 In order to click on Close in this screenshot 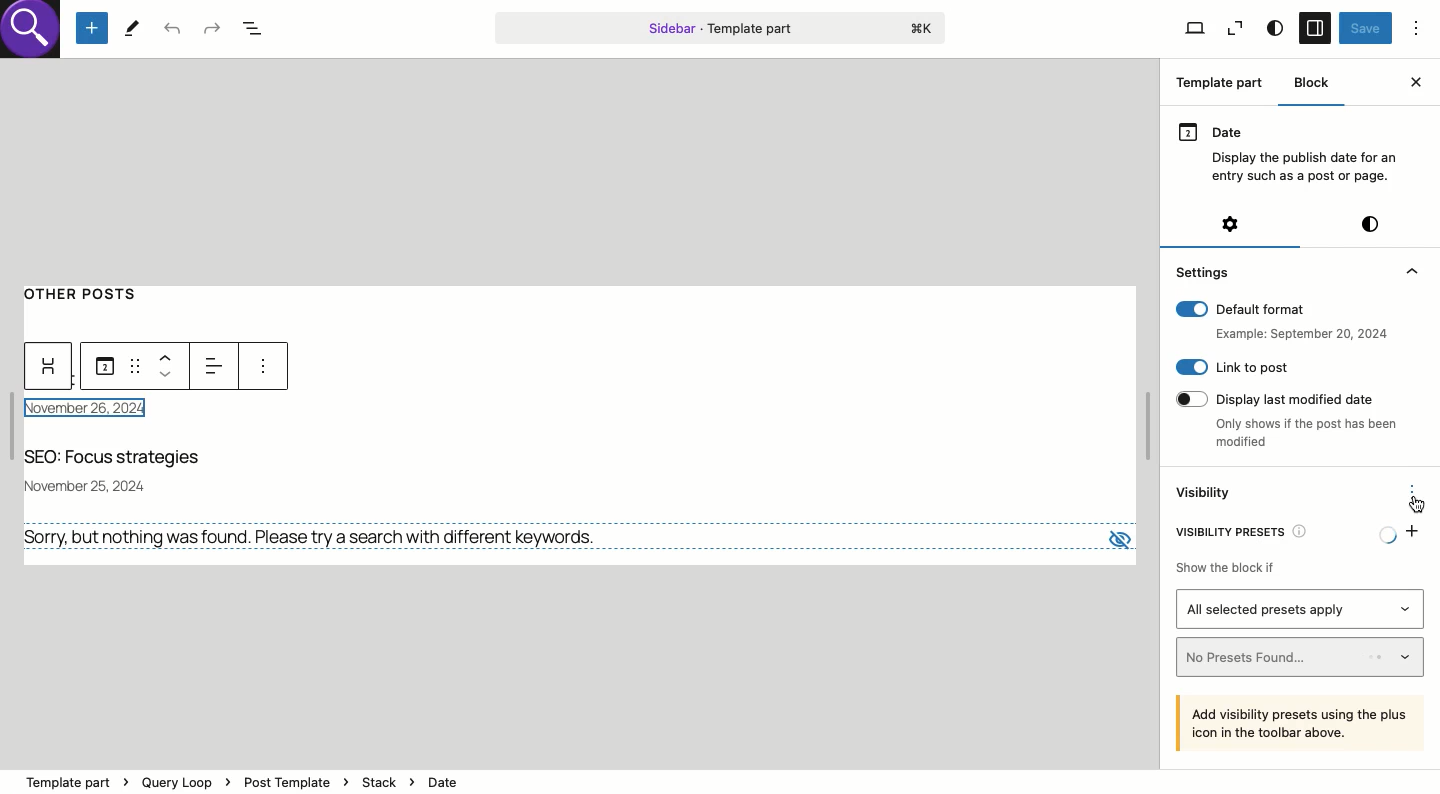, I will do `click(1415, 82)`.